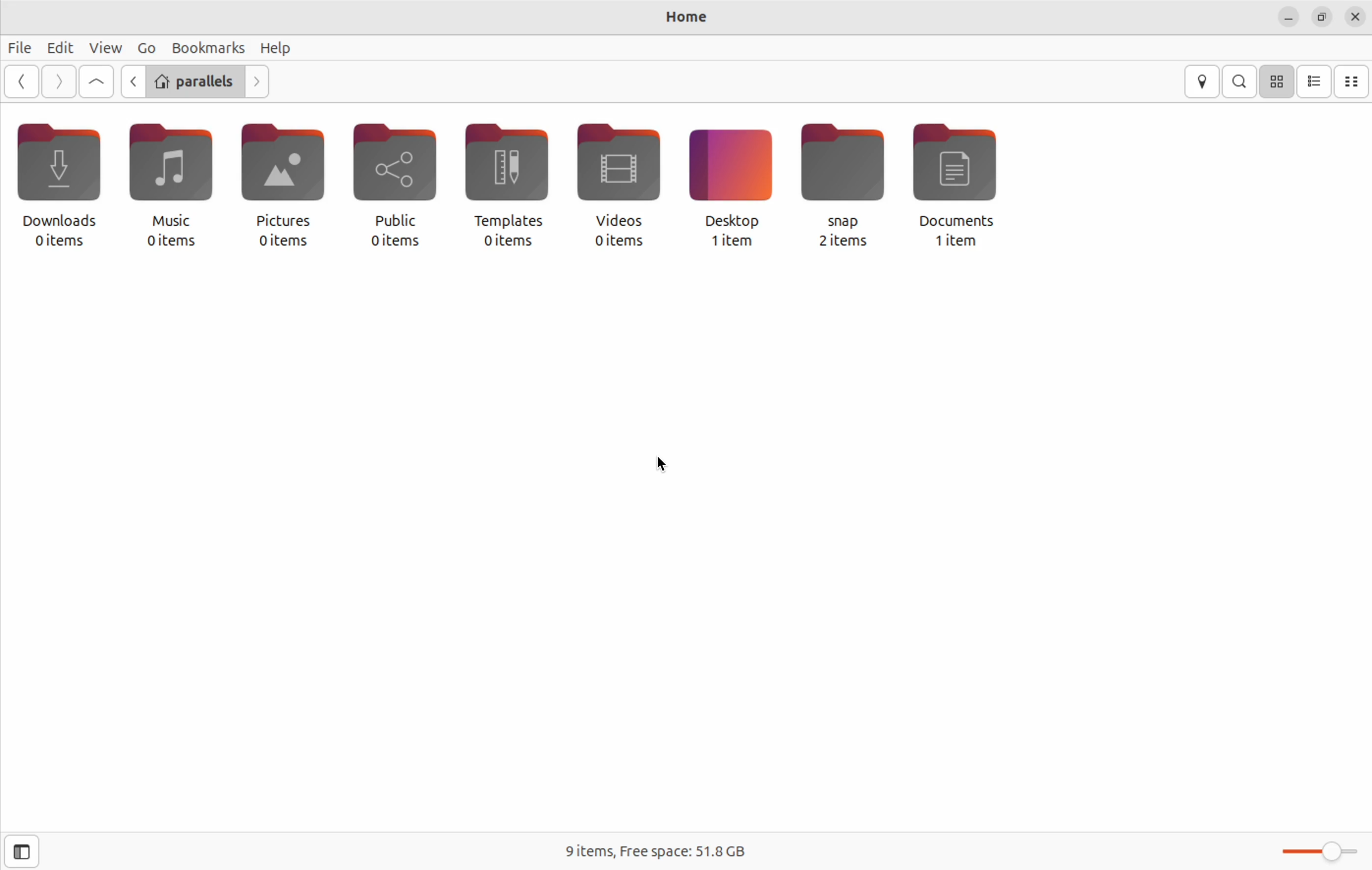 The image size is (1372, 870). What do you see at coordinates (21, 852) in the screenshot?
I see `show sidebar` at bounding box center [21, 852].